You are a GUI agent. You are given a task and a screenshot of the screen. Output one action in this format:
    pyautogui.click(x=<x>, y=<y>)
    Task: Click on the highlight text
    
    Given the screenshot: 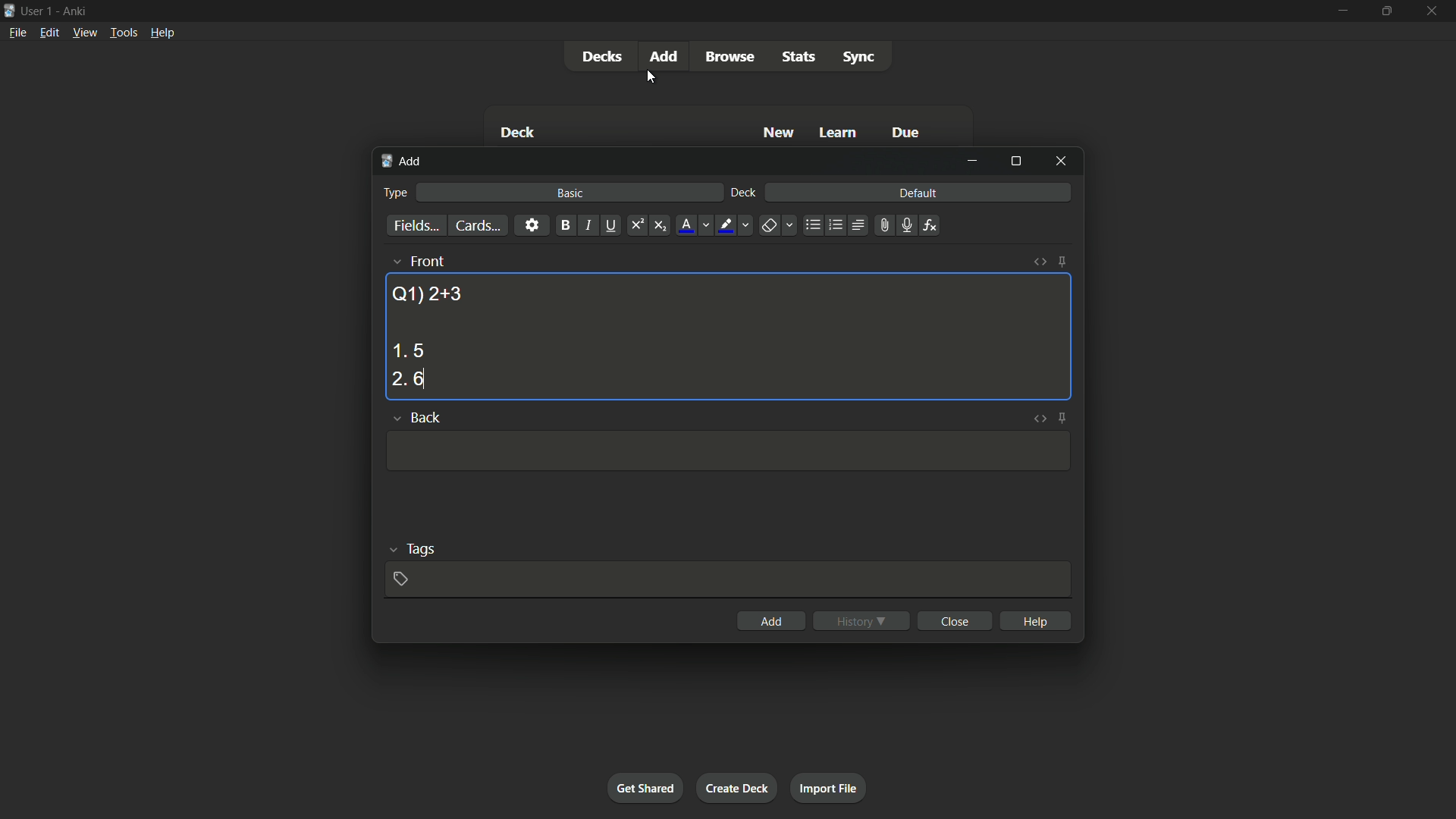 What is the action you would take?
    pyautogui.click(x=723, y=226)
    